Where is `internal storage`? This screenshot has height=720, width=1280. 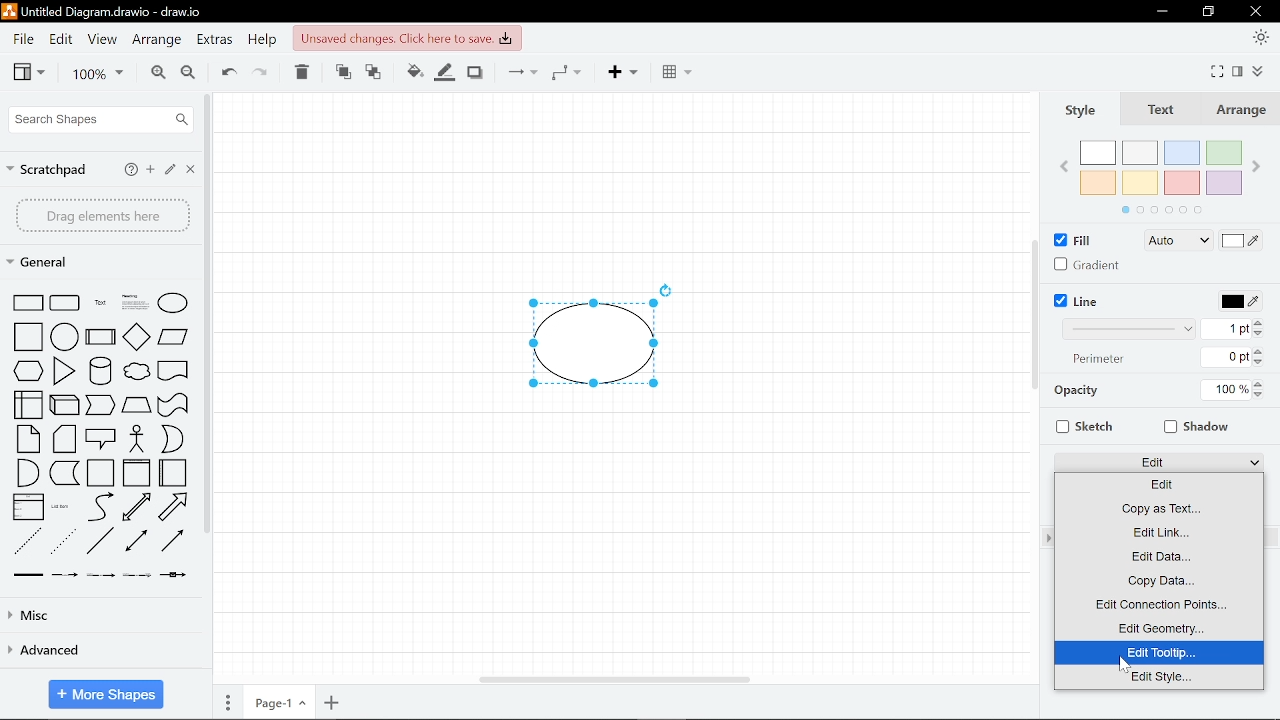
internal storage is located at coordinates (29, 406).